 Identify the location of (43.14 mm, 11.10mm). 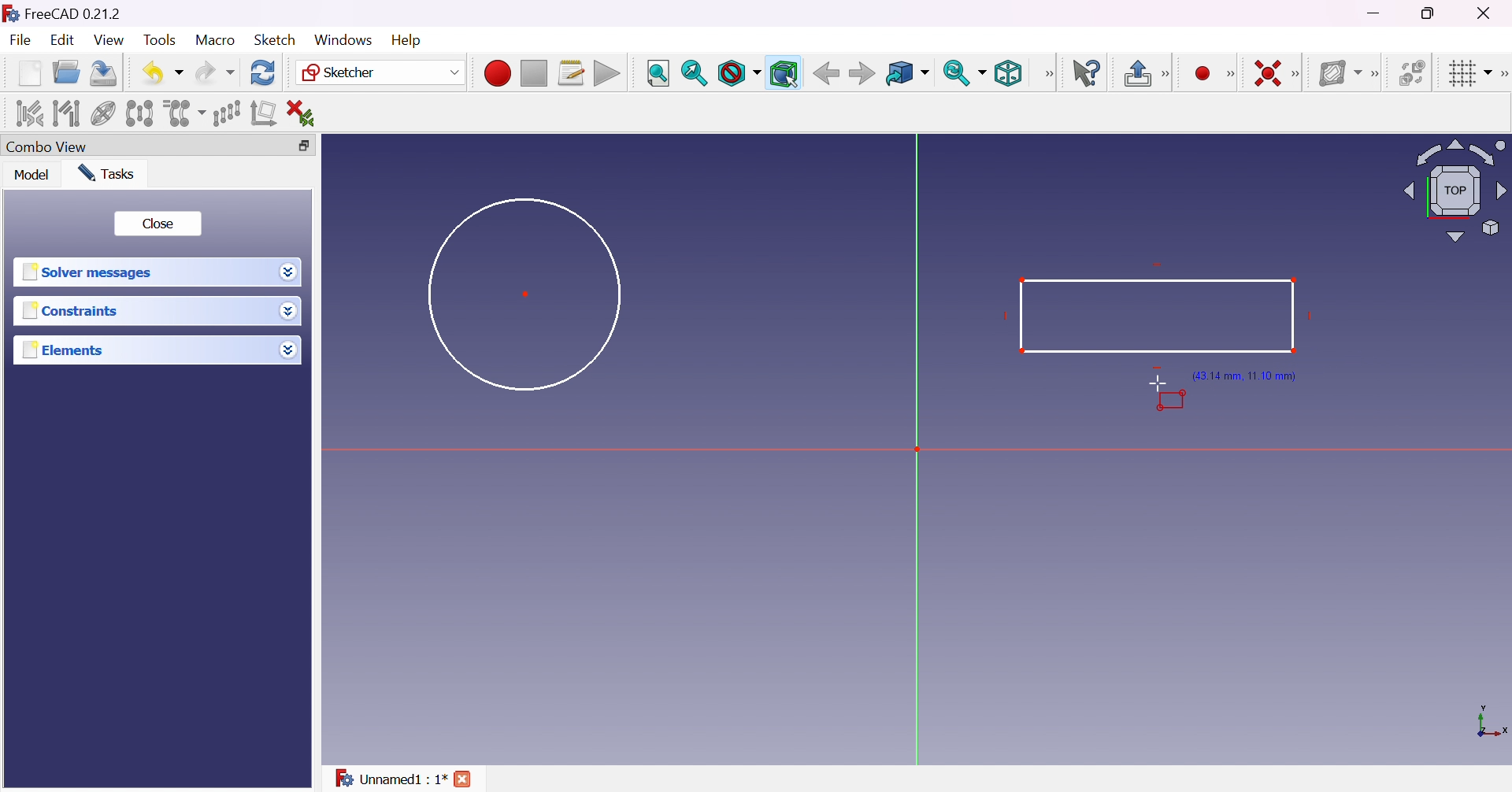
(1251, 376).